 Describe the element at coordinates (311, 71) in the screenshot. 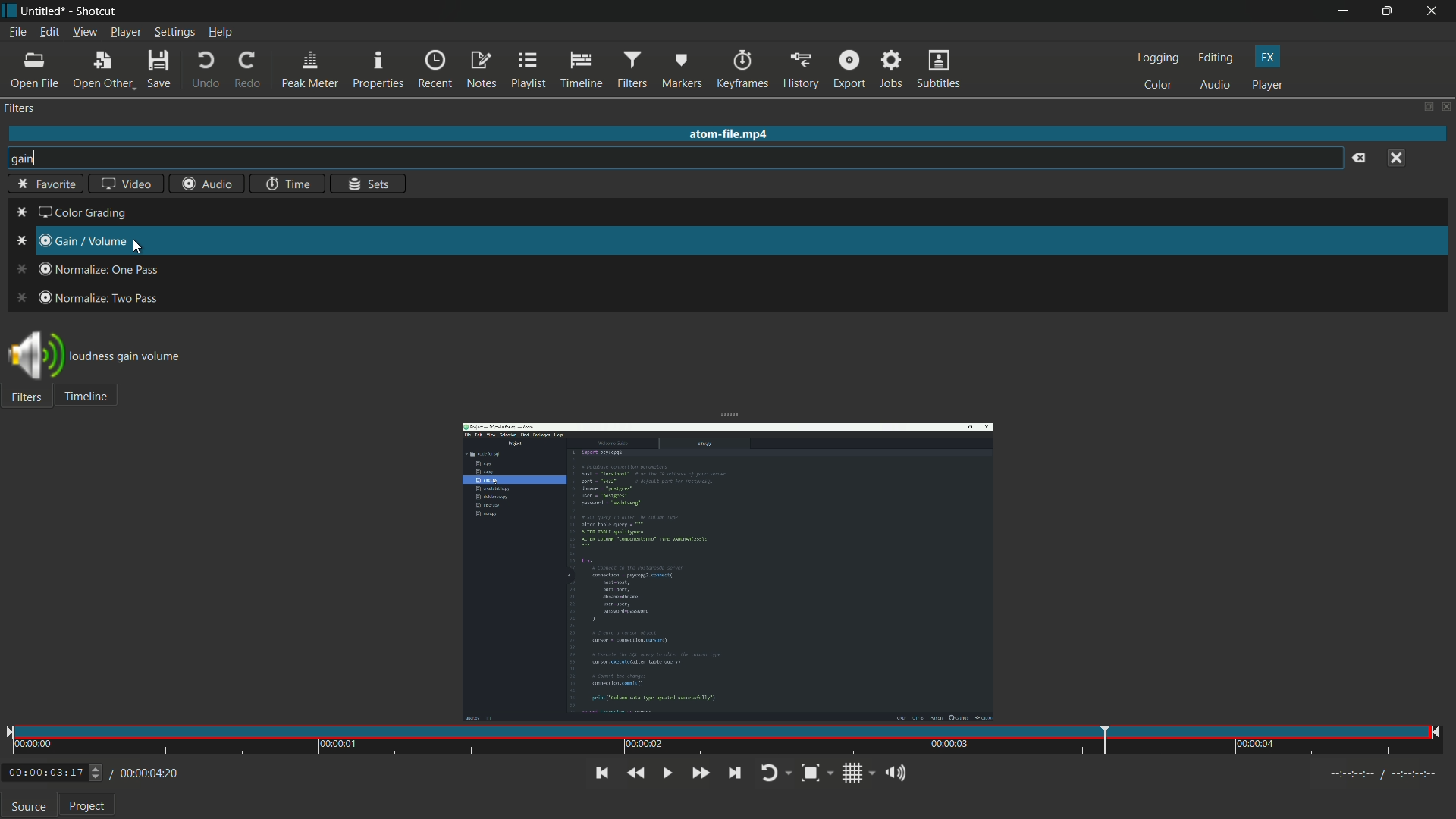

I see `peak meter` at that location.